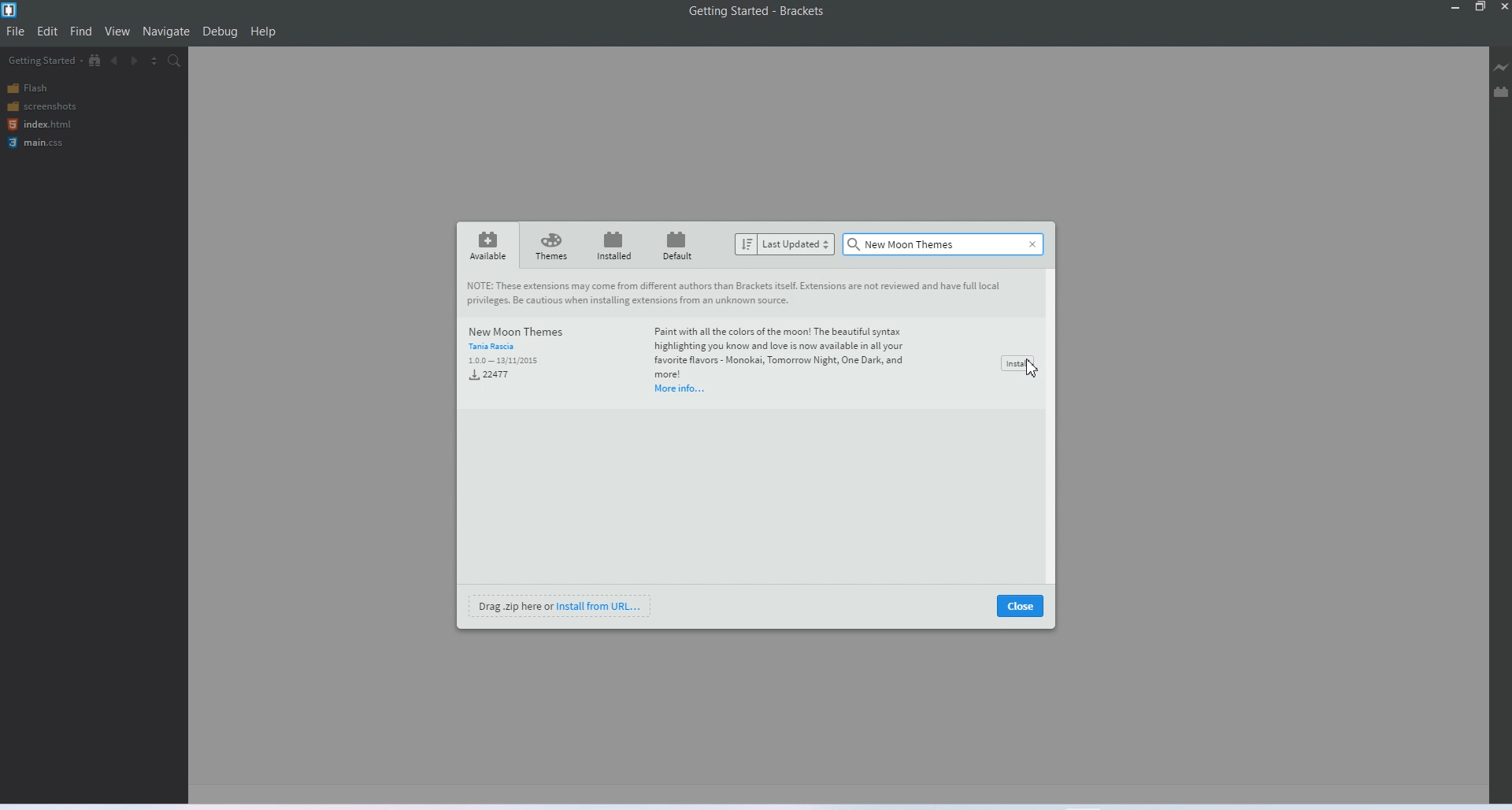 The width and height of the screenshot is (1512, 810). Describe the element at coordinates (613, 245) in the screenshot. I see `installed` at that location.